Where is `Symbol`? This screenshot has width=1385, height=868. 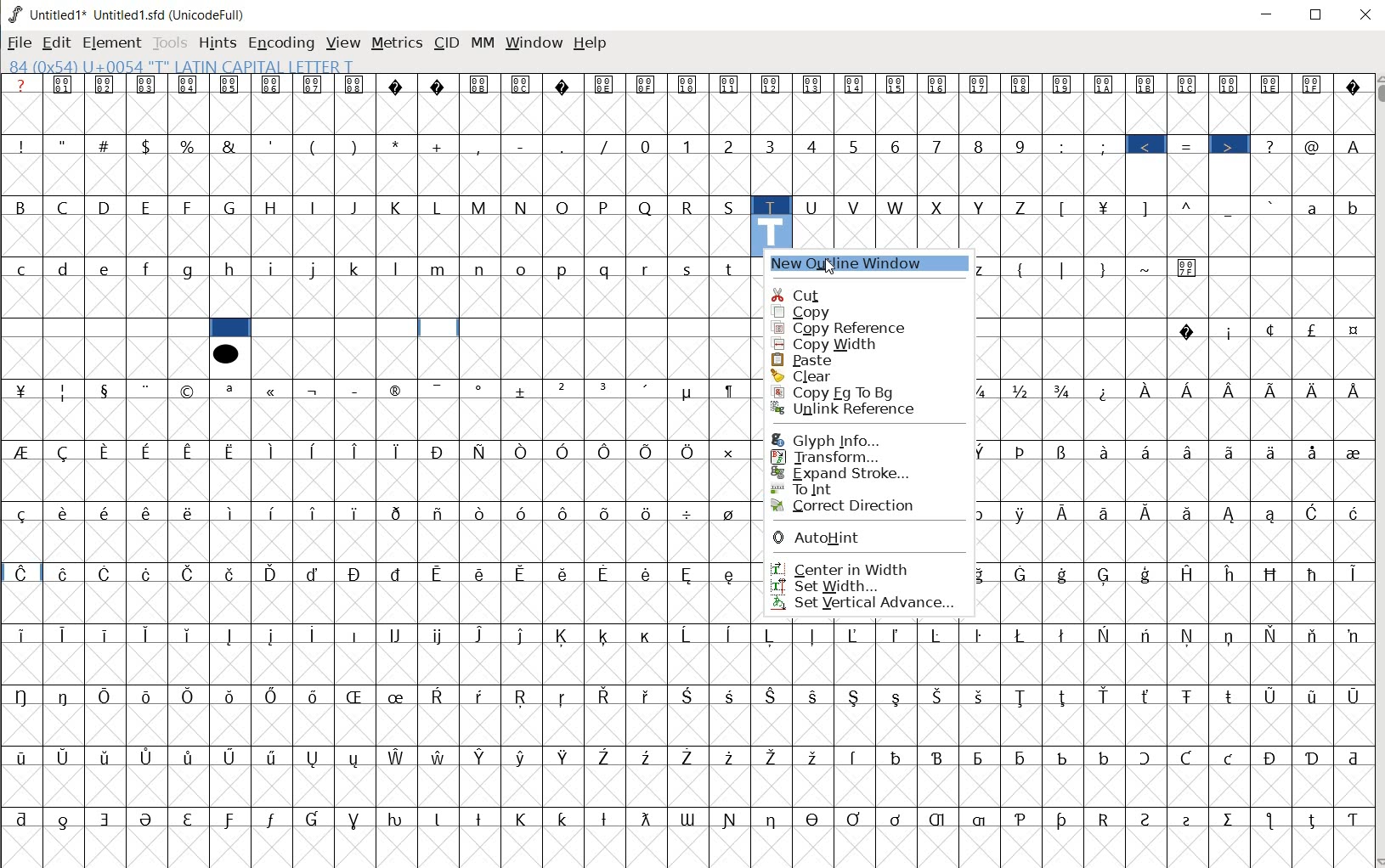
Symbol is located at coordinates (1231, 635).